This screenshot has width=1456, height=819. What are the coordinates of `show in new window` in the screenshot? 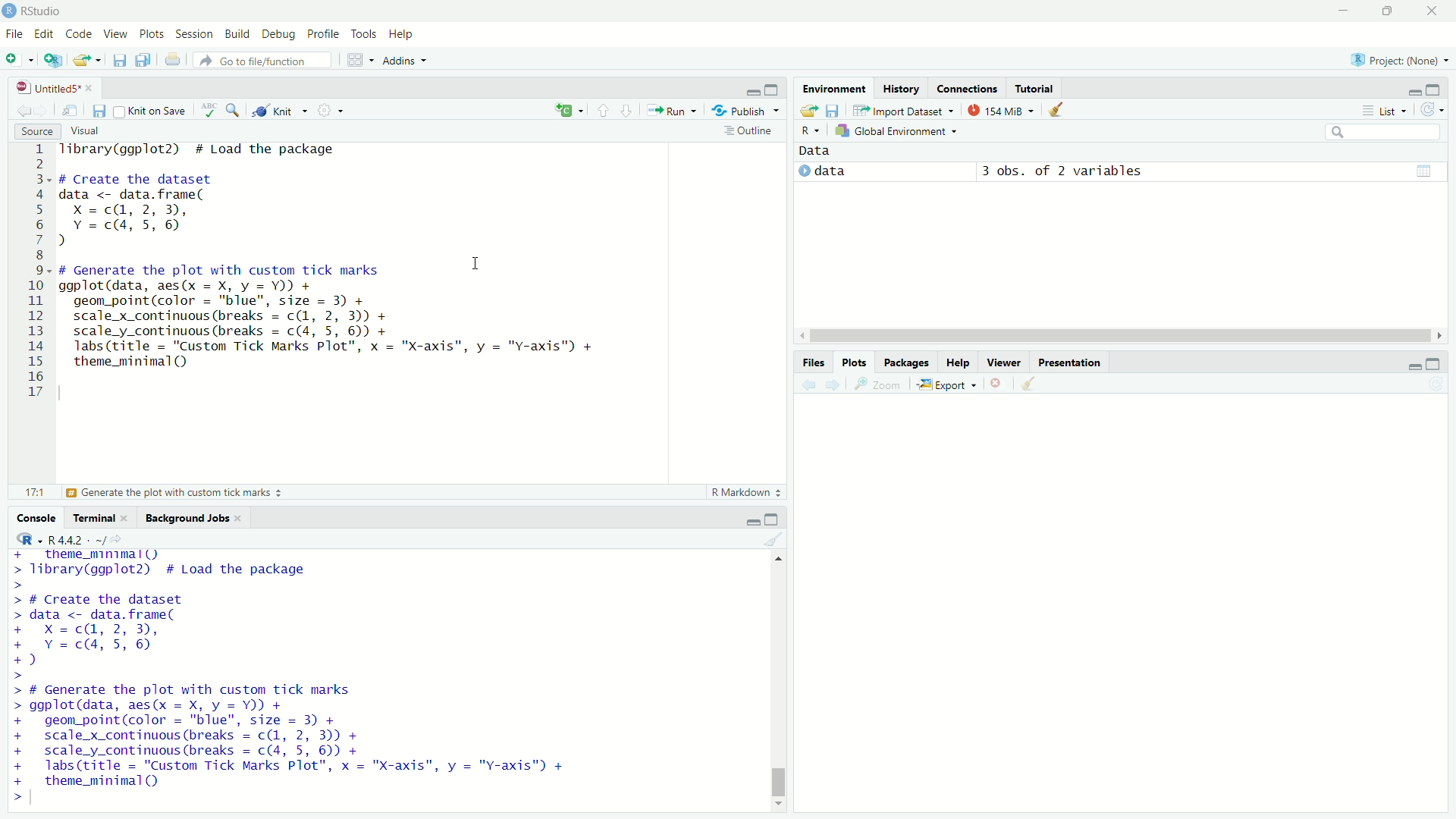 It's located at (72, 110).